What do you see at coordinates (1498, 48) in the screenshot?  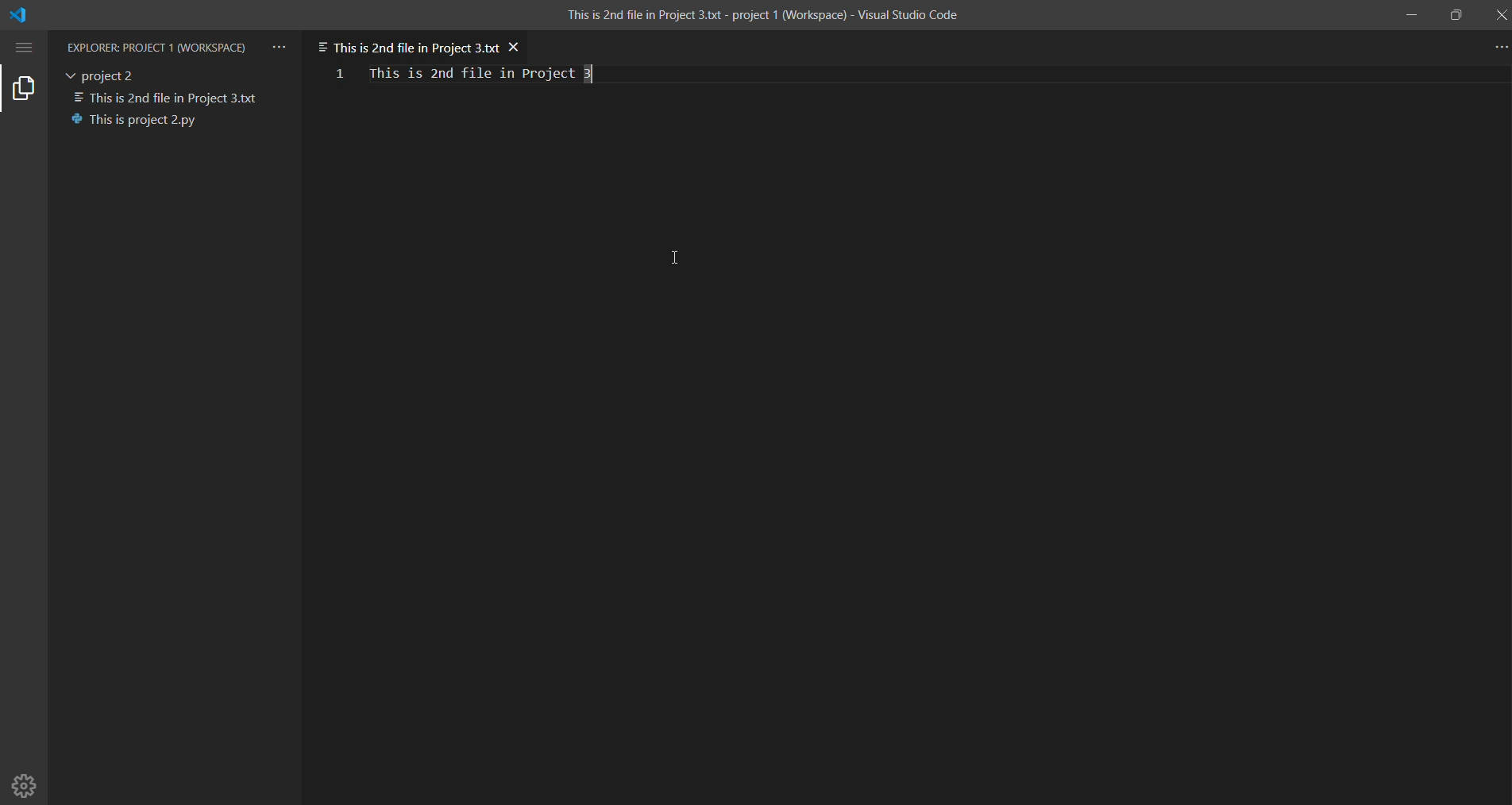 I see `more action` at bounding box center [1498, 48].